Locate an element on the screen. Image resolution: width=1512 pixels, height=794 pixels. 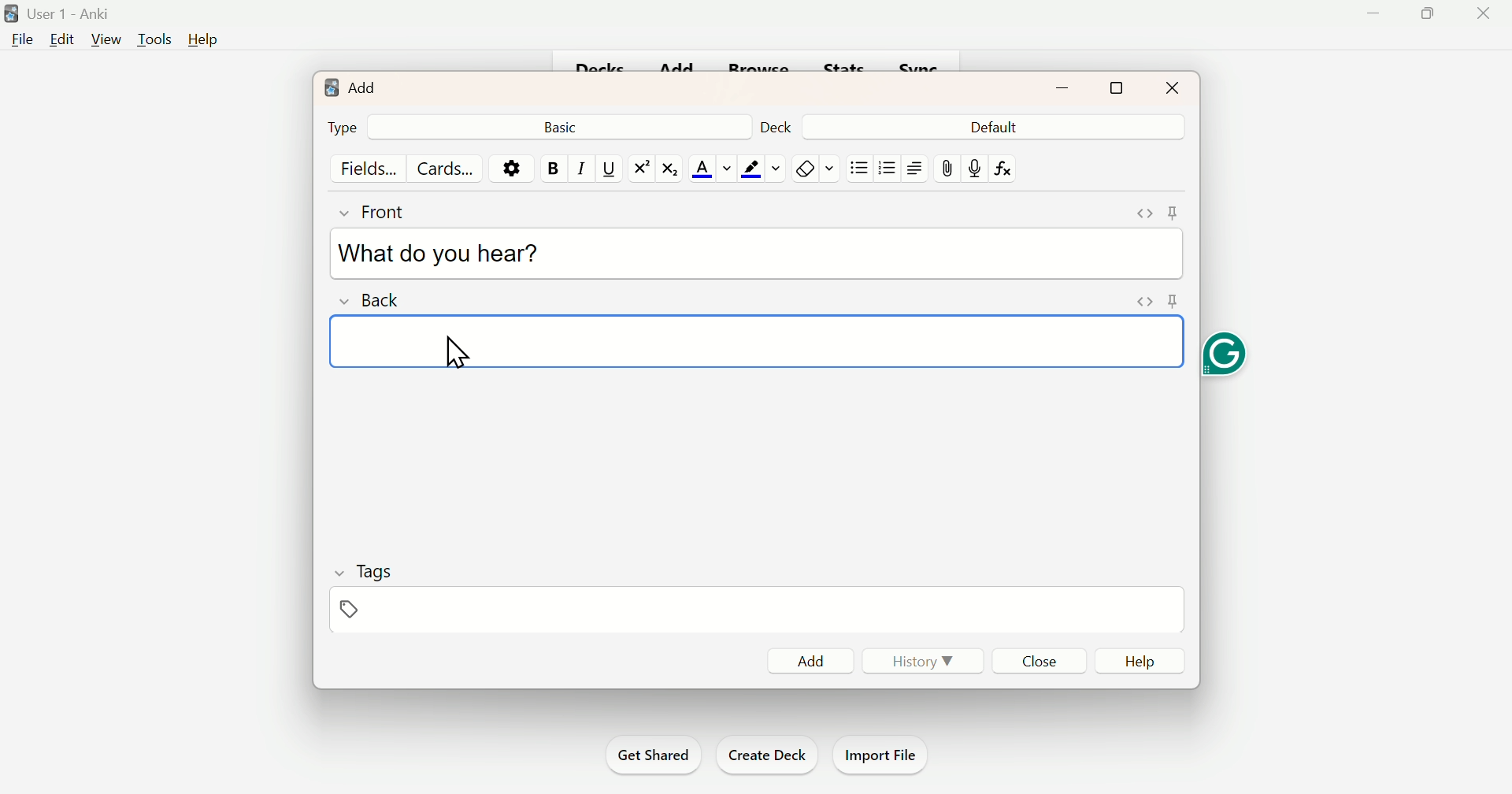
pin is located at coordinates (1175, 211).